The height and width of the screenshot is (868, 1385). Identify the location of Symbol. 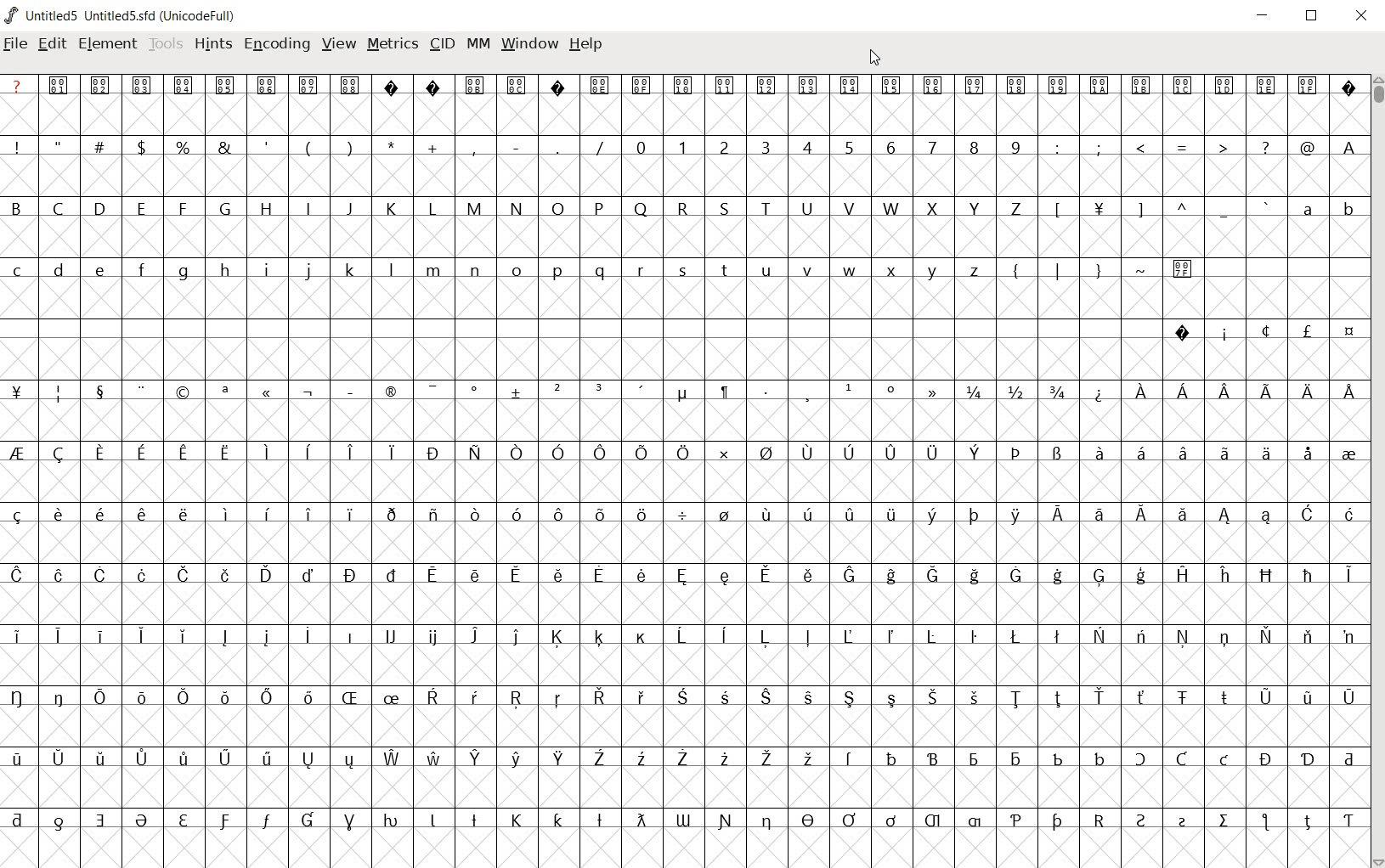
(433, 85).